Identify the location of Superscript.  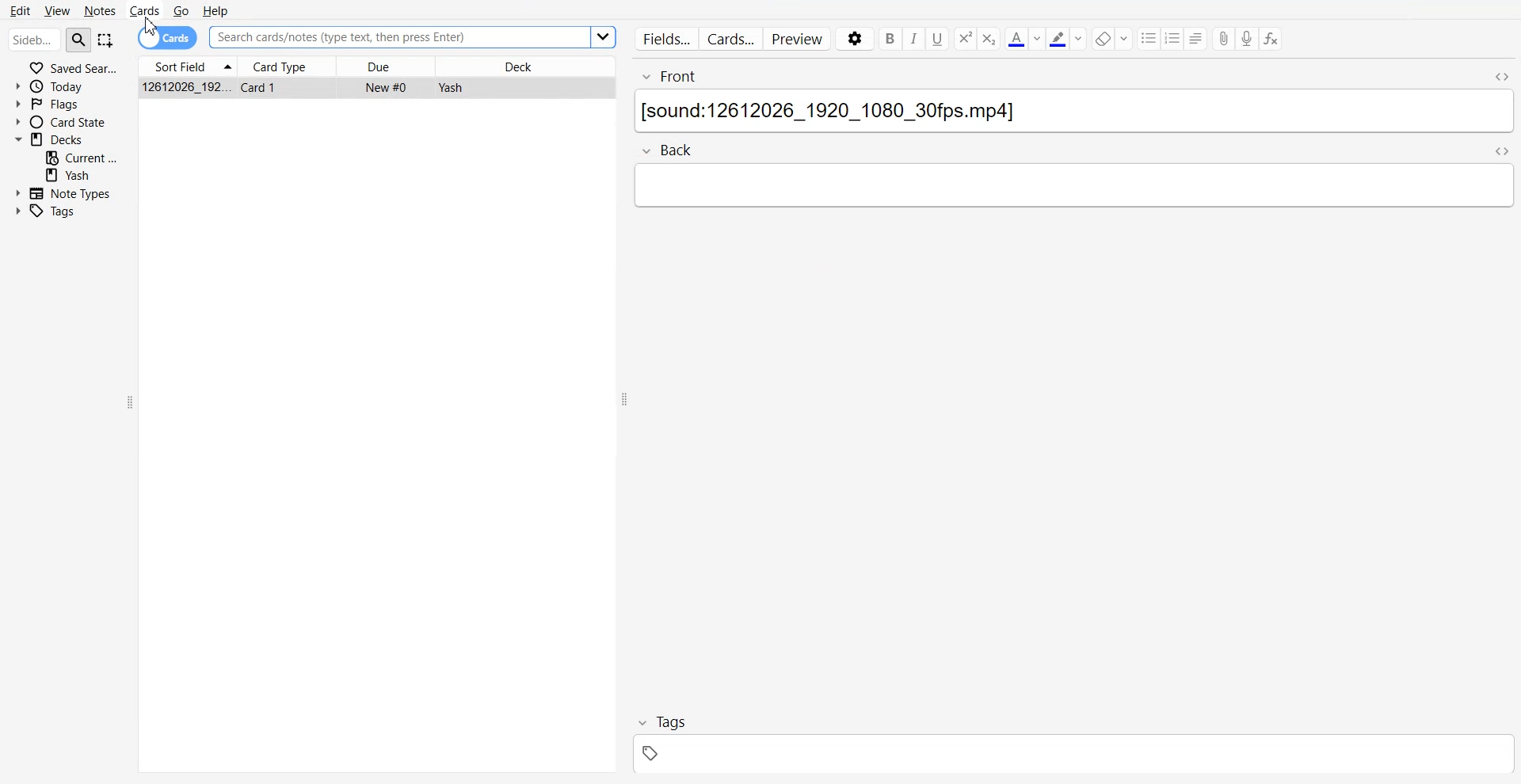
(990, 39).